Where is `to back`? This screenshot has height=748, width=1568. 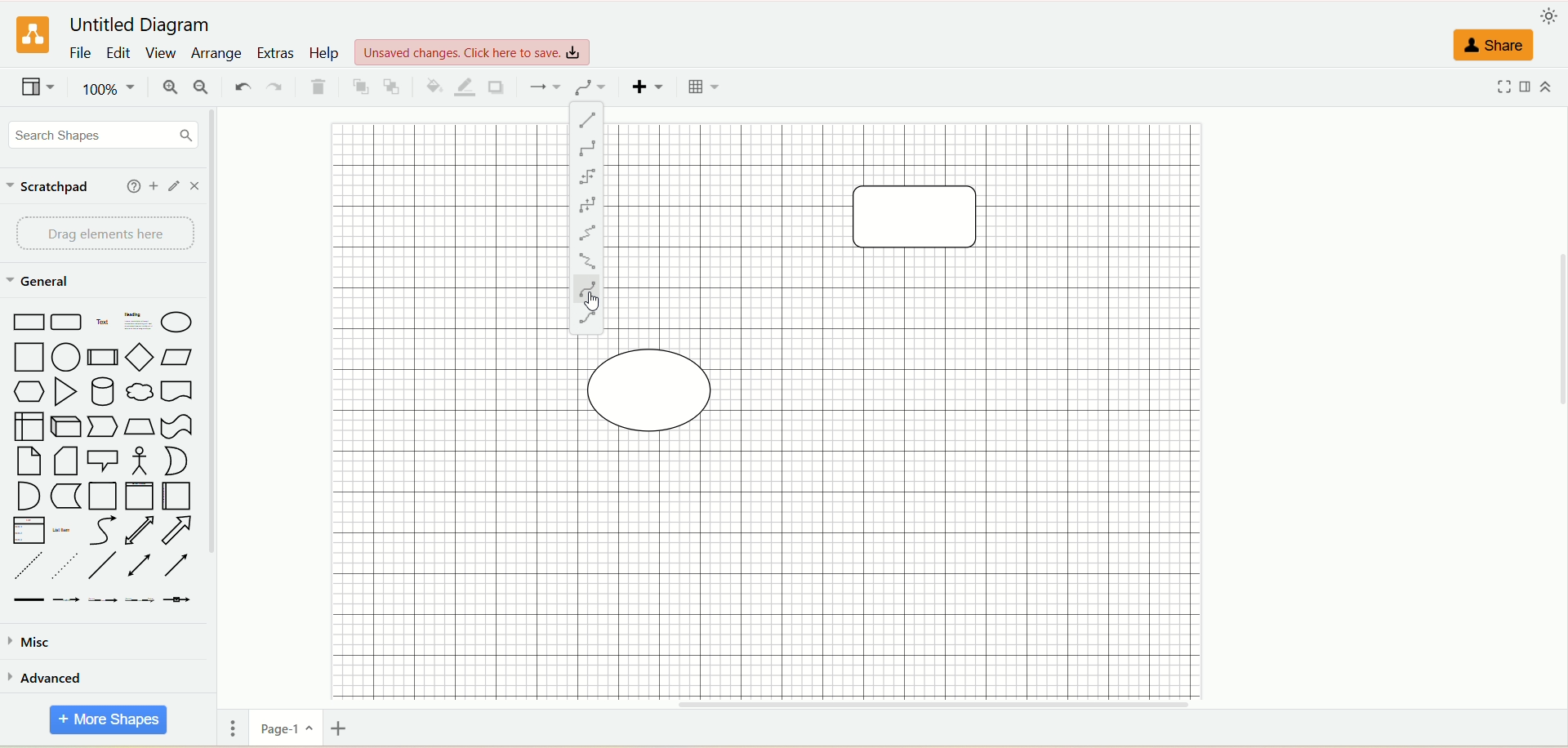
to back is located at coordinates (395, 87).